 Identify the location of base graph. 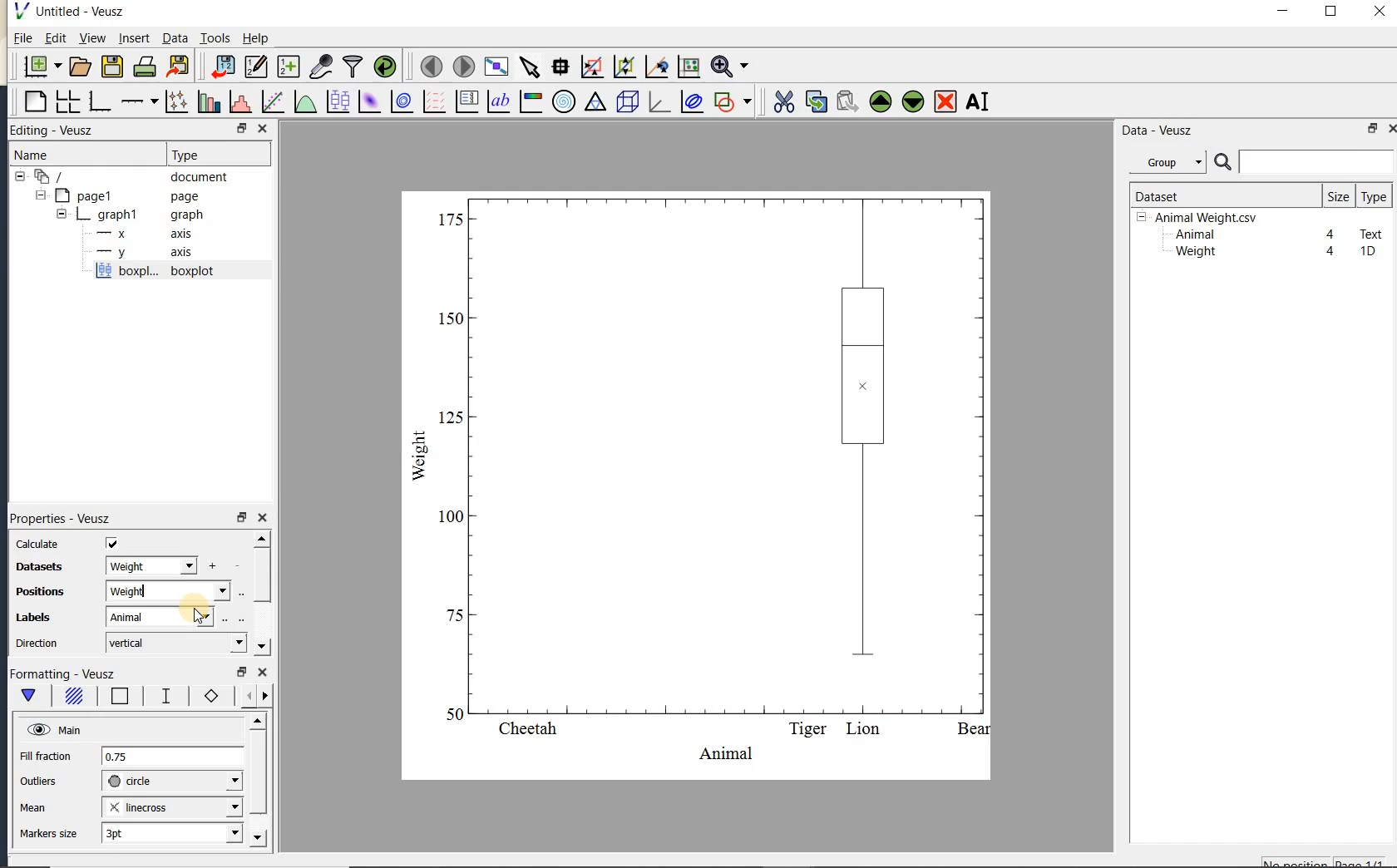
(98, 101).